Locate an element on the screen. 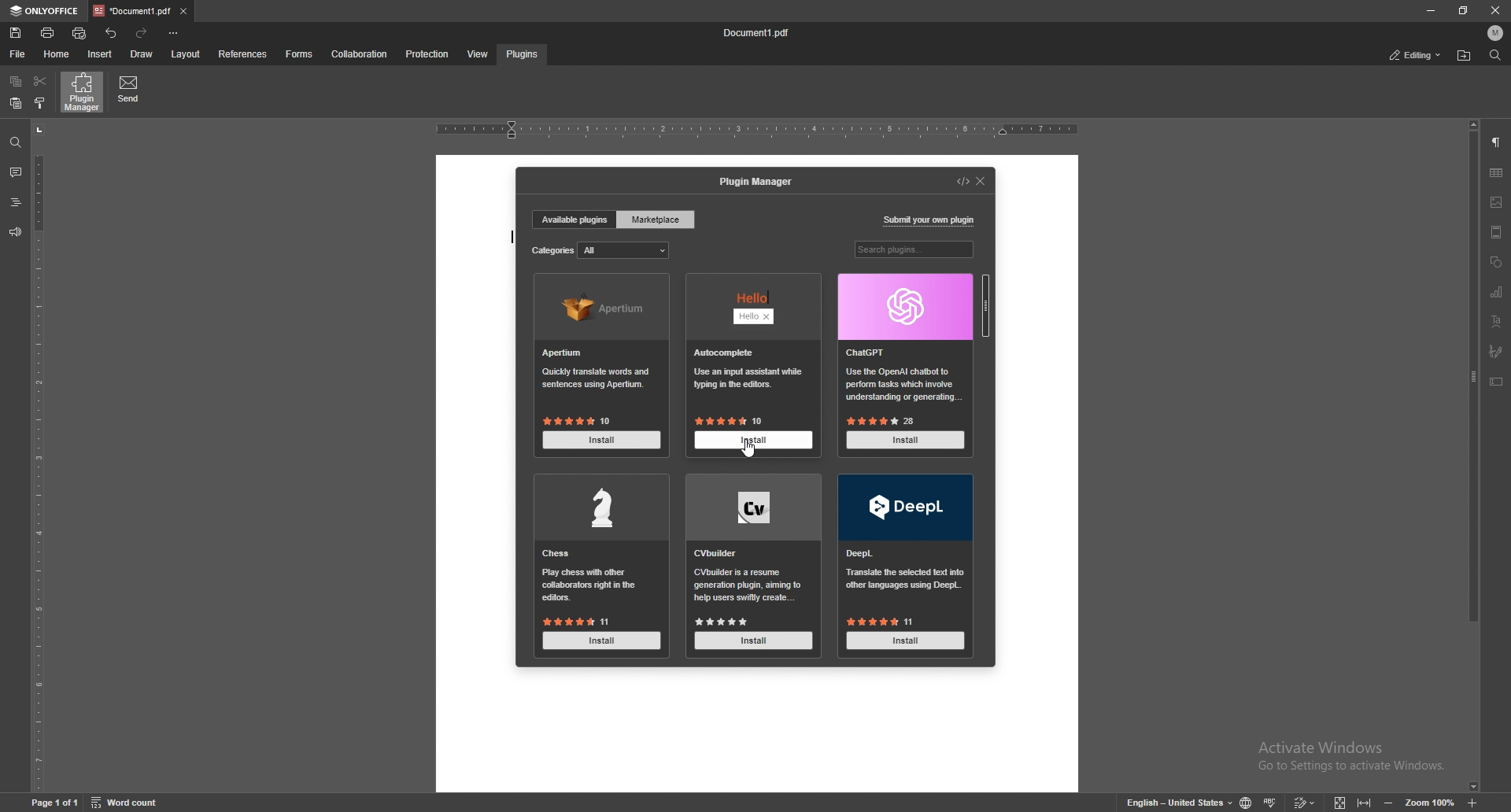 Image resolution: width=1511 pixels, height=812 pixels. marketplace is located at coordinates (656, 220).